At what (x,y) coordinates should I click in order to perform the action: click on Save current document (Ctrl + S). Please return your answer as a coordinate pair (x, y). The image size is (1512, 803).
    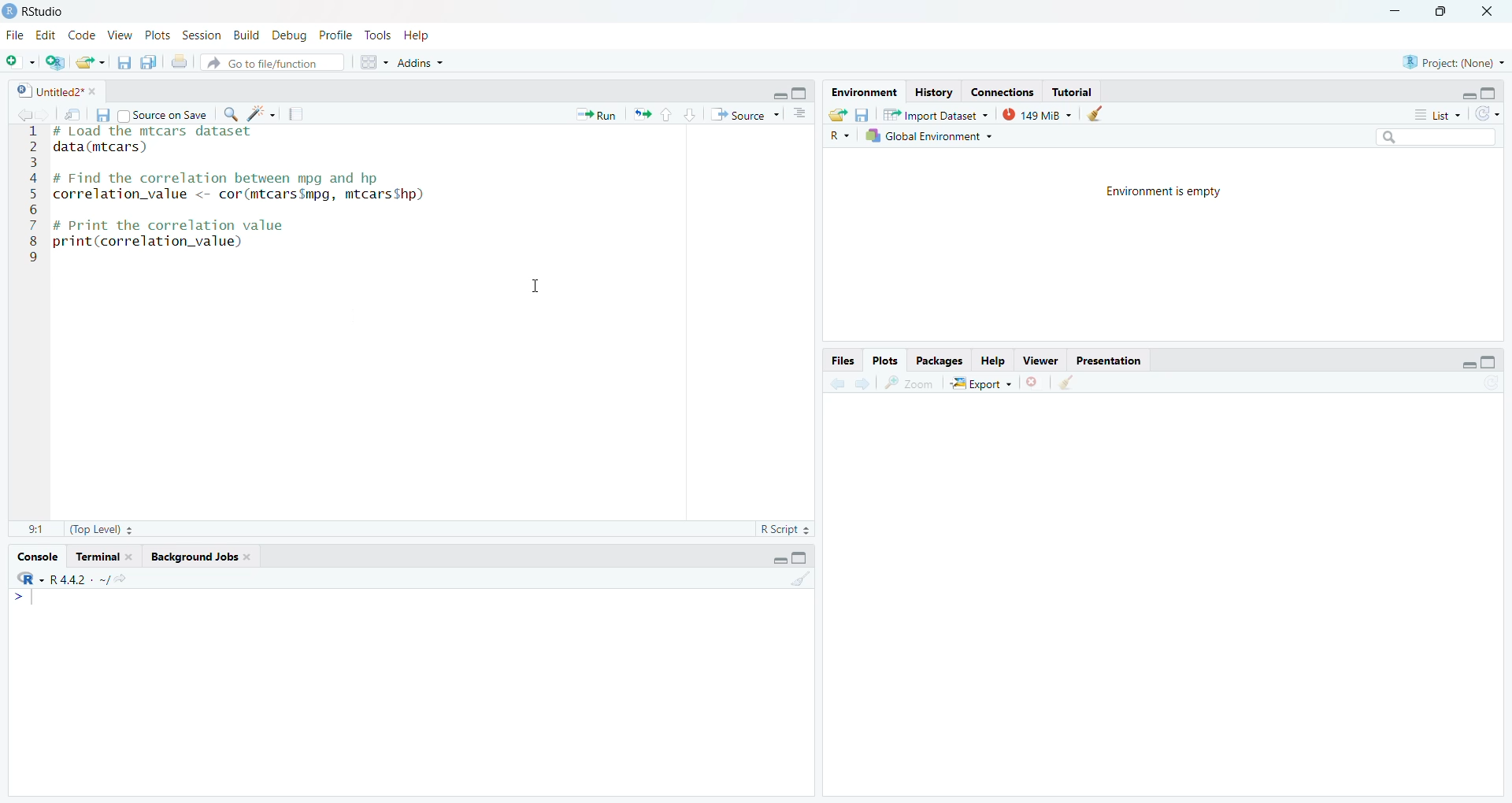
    Looking at the image, I should click on (122, 62).